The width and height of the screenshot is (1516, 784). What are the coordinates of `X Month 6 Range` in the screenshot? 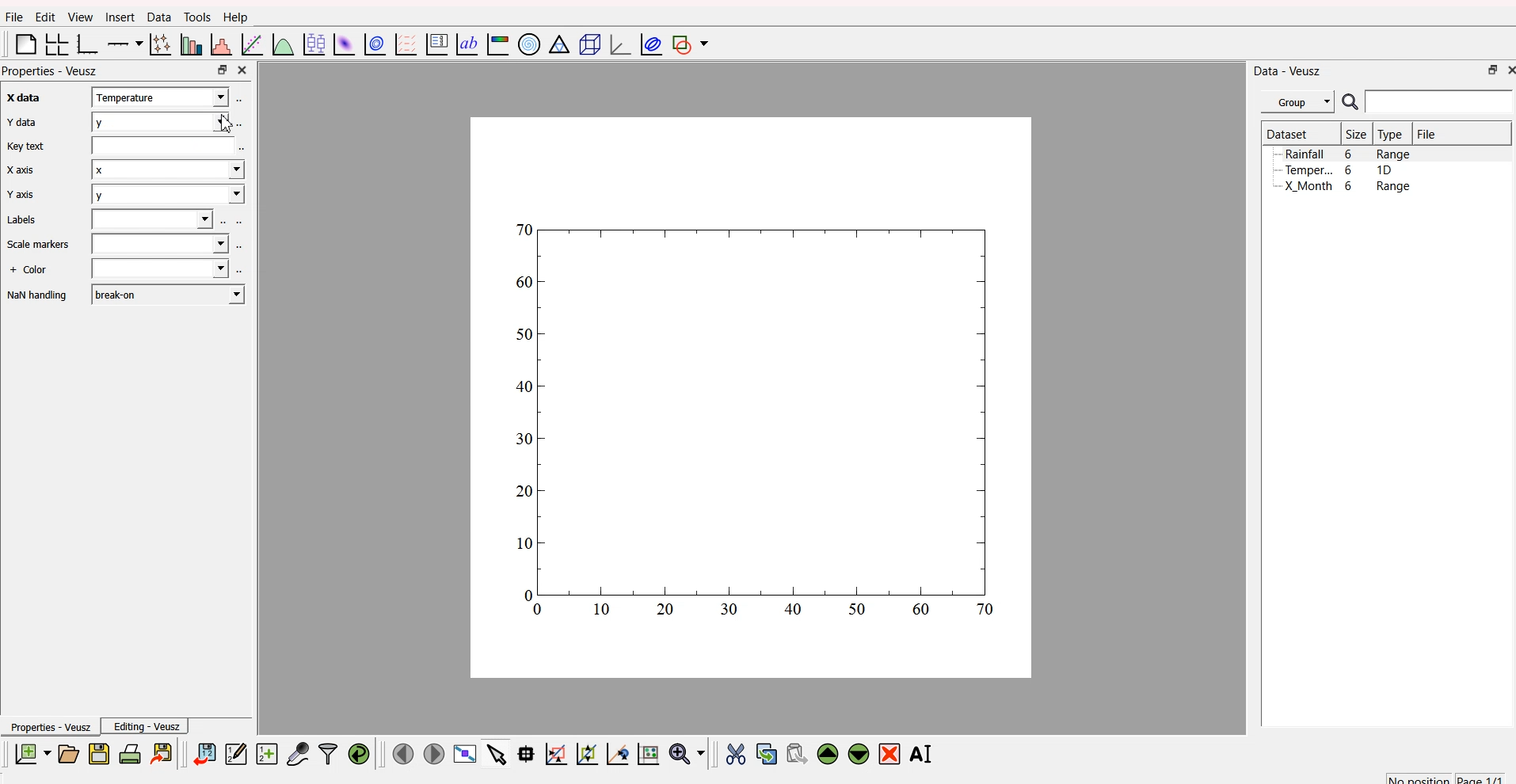 It's located at (1347, 186).